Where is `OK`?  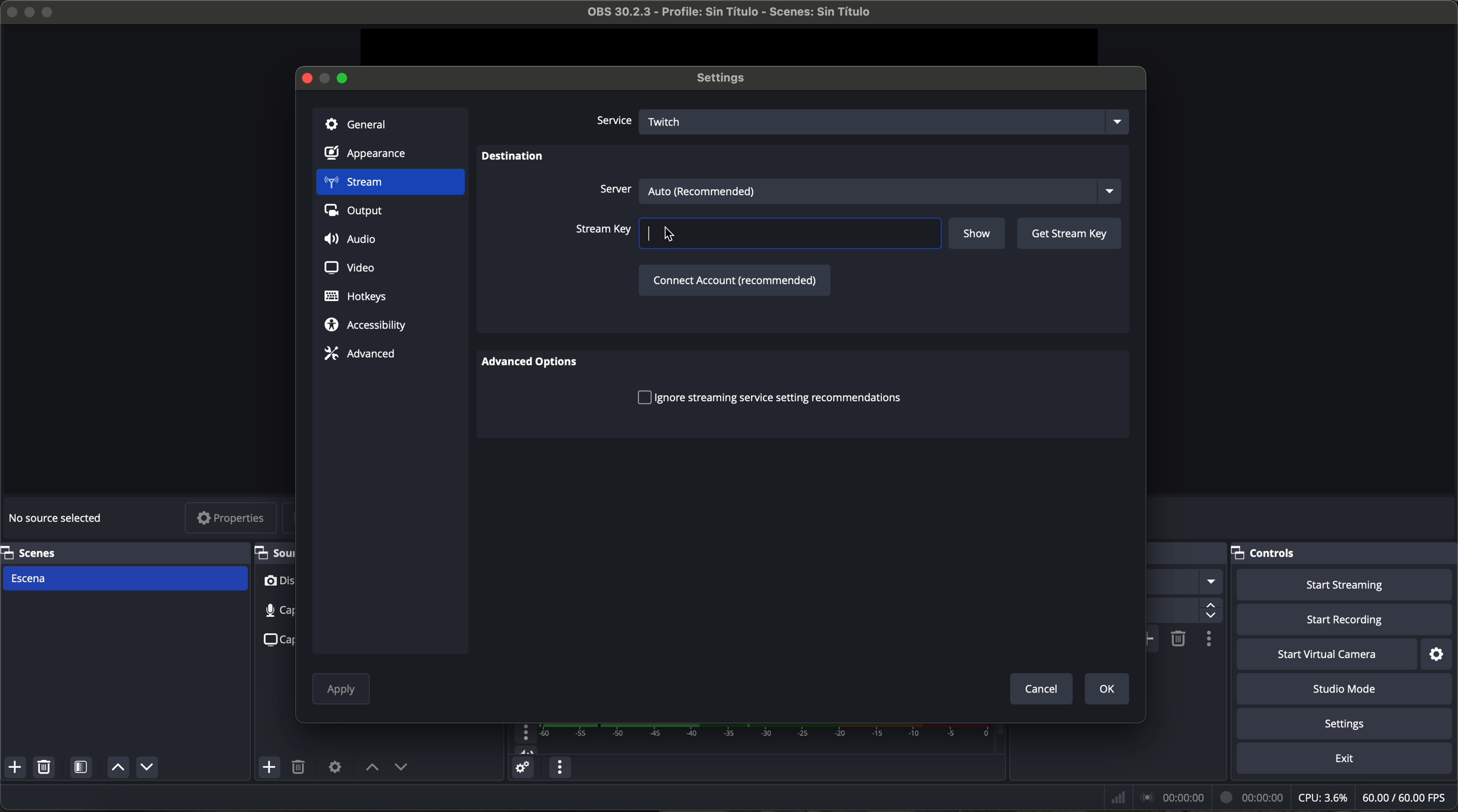
OK is located at coordinates (1104, 688).